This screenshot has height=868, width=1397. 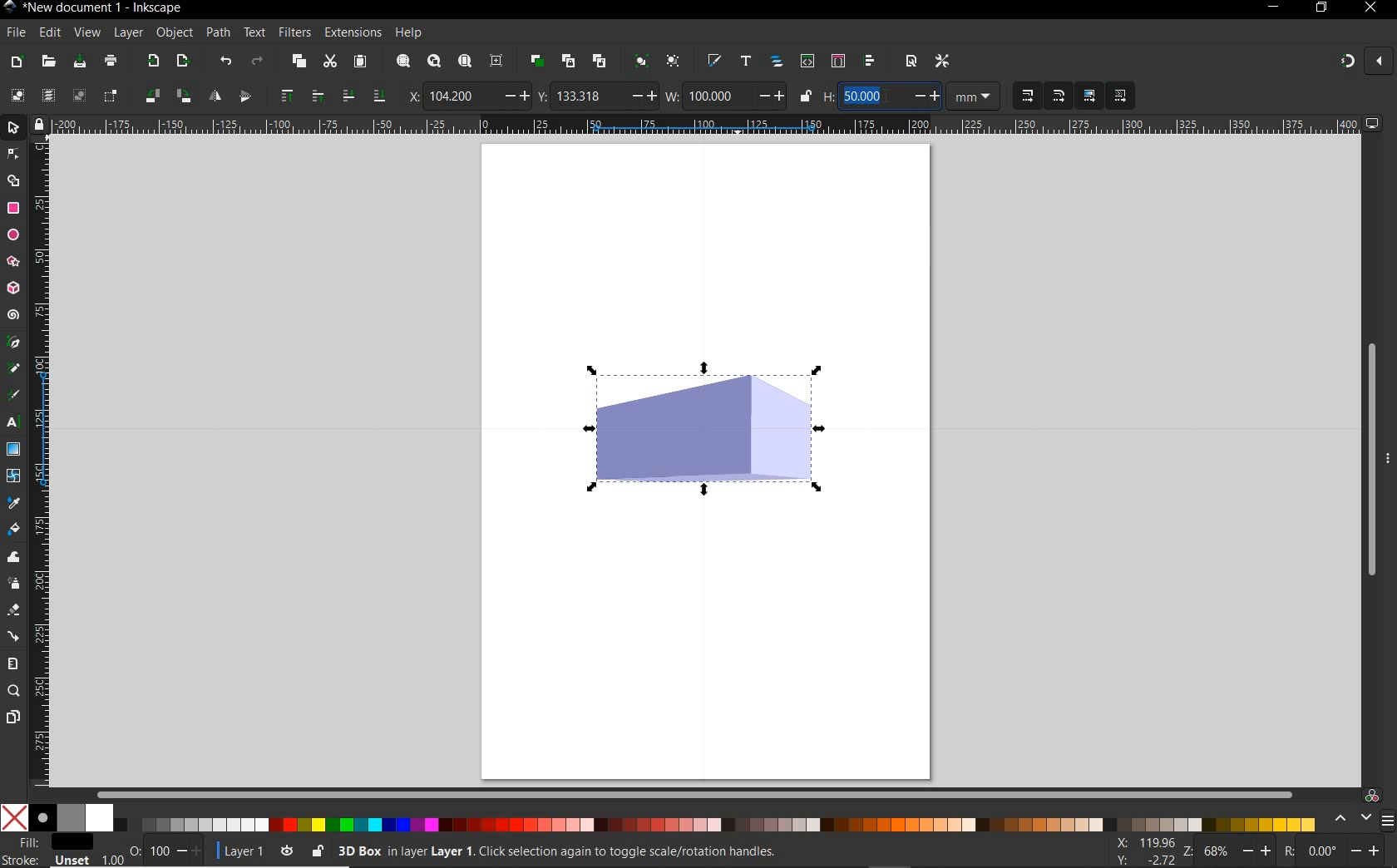 What do you see at coordinates (911, 62) in the screenshot?
I see `open document properties` at bounding box center [911, 62].